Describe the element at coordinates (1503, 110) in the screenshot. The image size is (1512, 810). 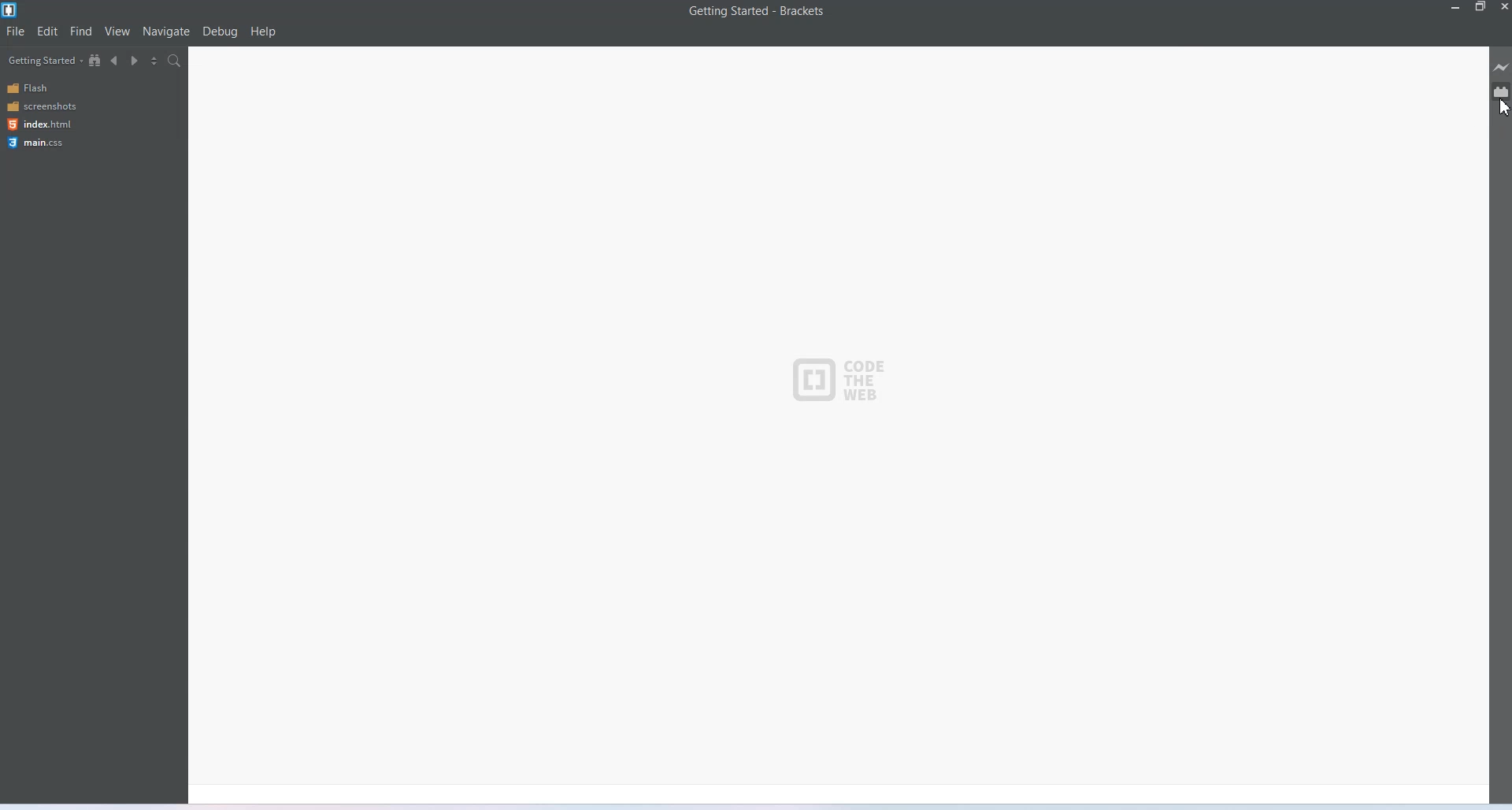
I see `Cursor` at that location.